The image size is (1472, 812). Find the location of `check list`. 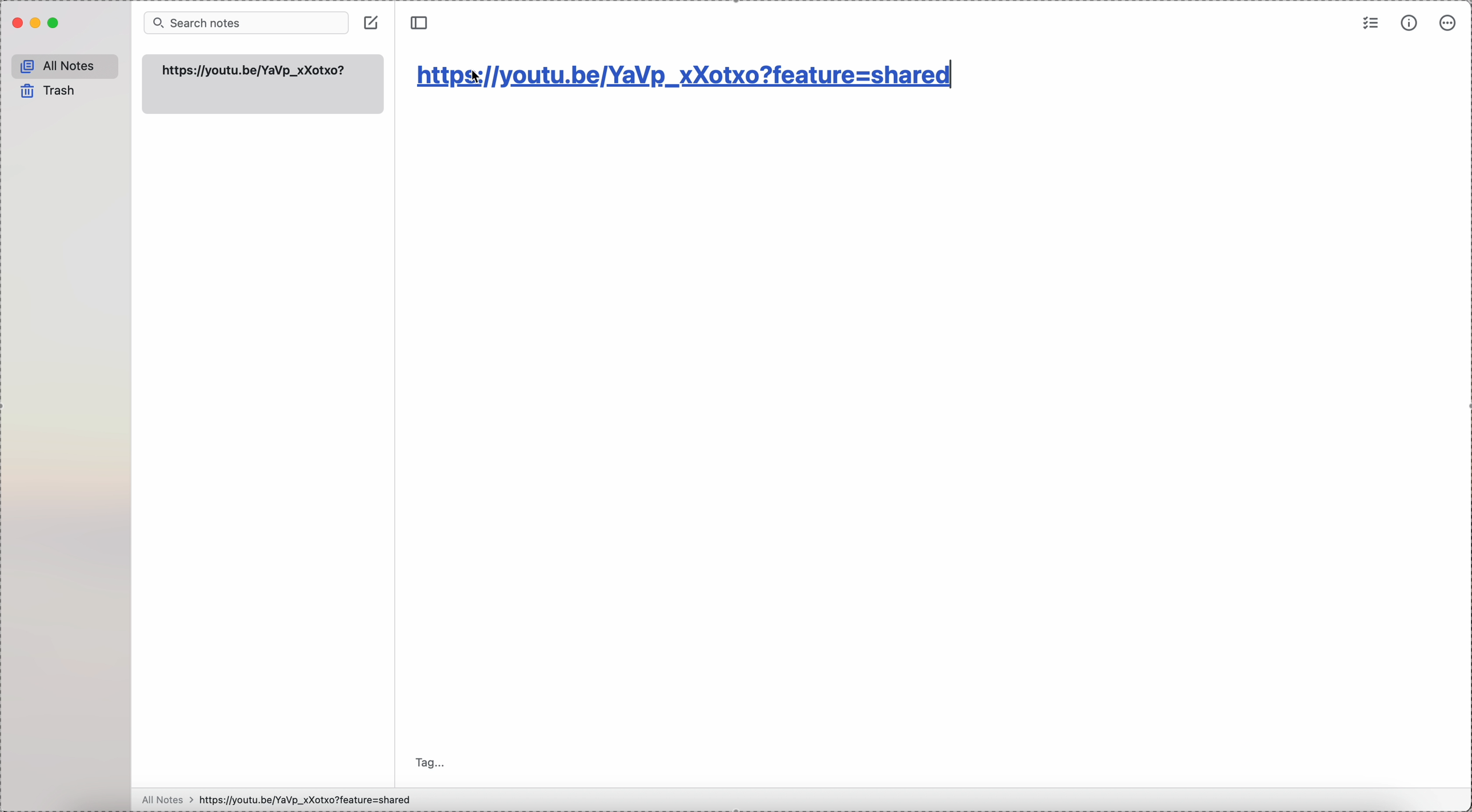

check list is located at coordinates (1369, 26).